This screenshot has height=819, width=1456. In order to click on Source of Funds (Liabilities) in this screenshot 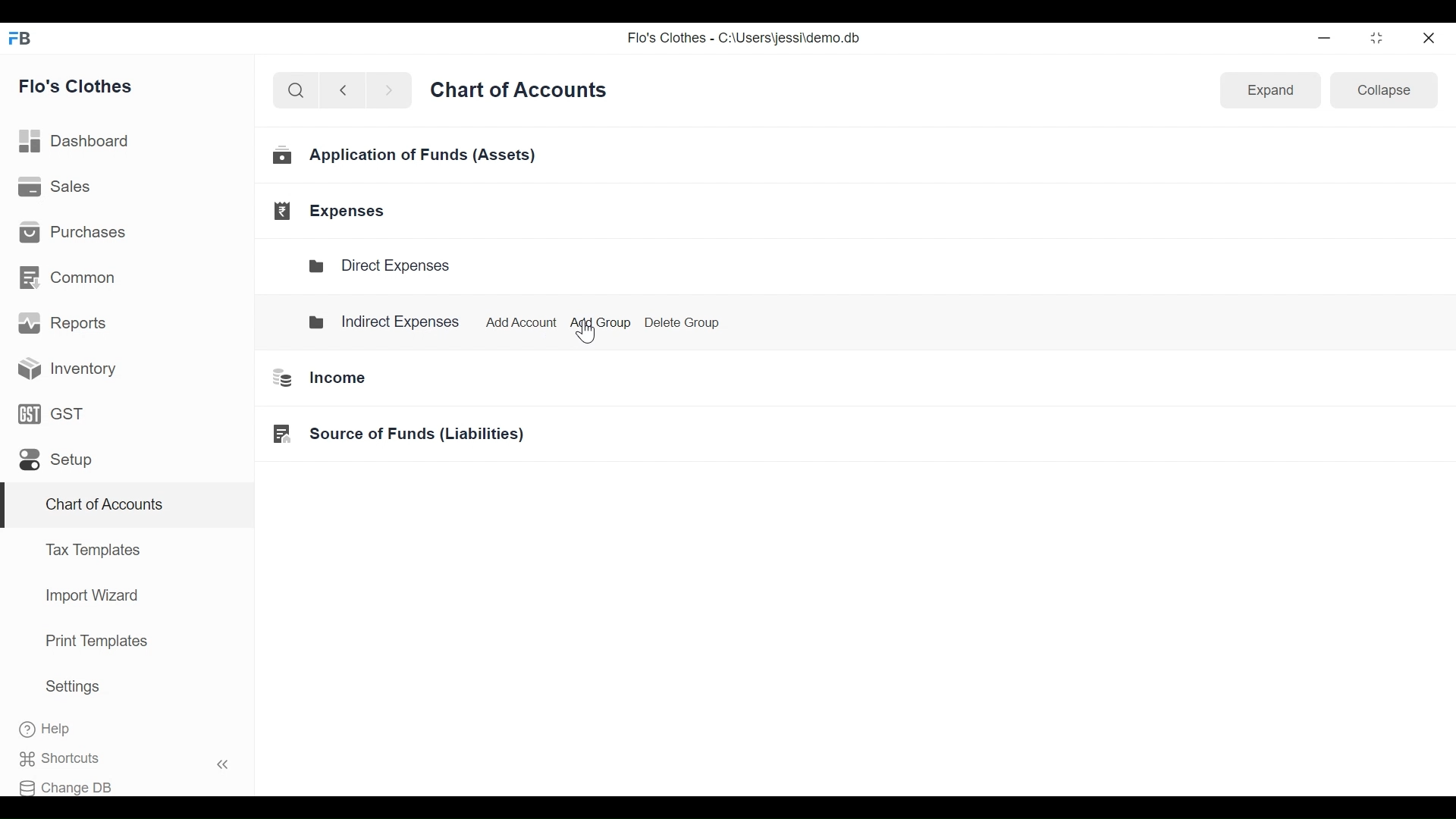, I will do `click(393, 435)`.